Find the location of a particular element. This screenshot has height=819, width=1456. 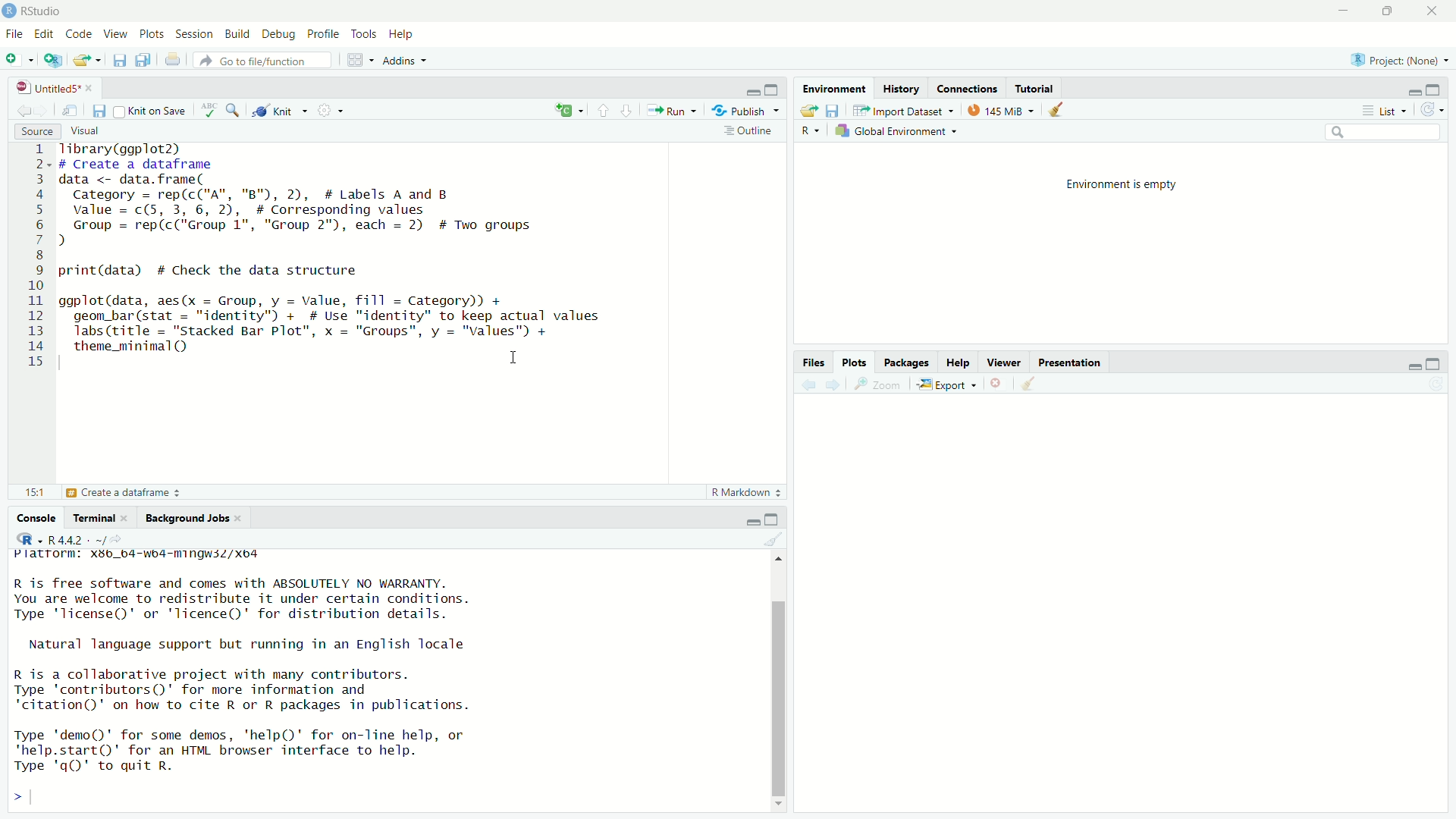

RStudio is located at coordinates (37, 10).